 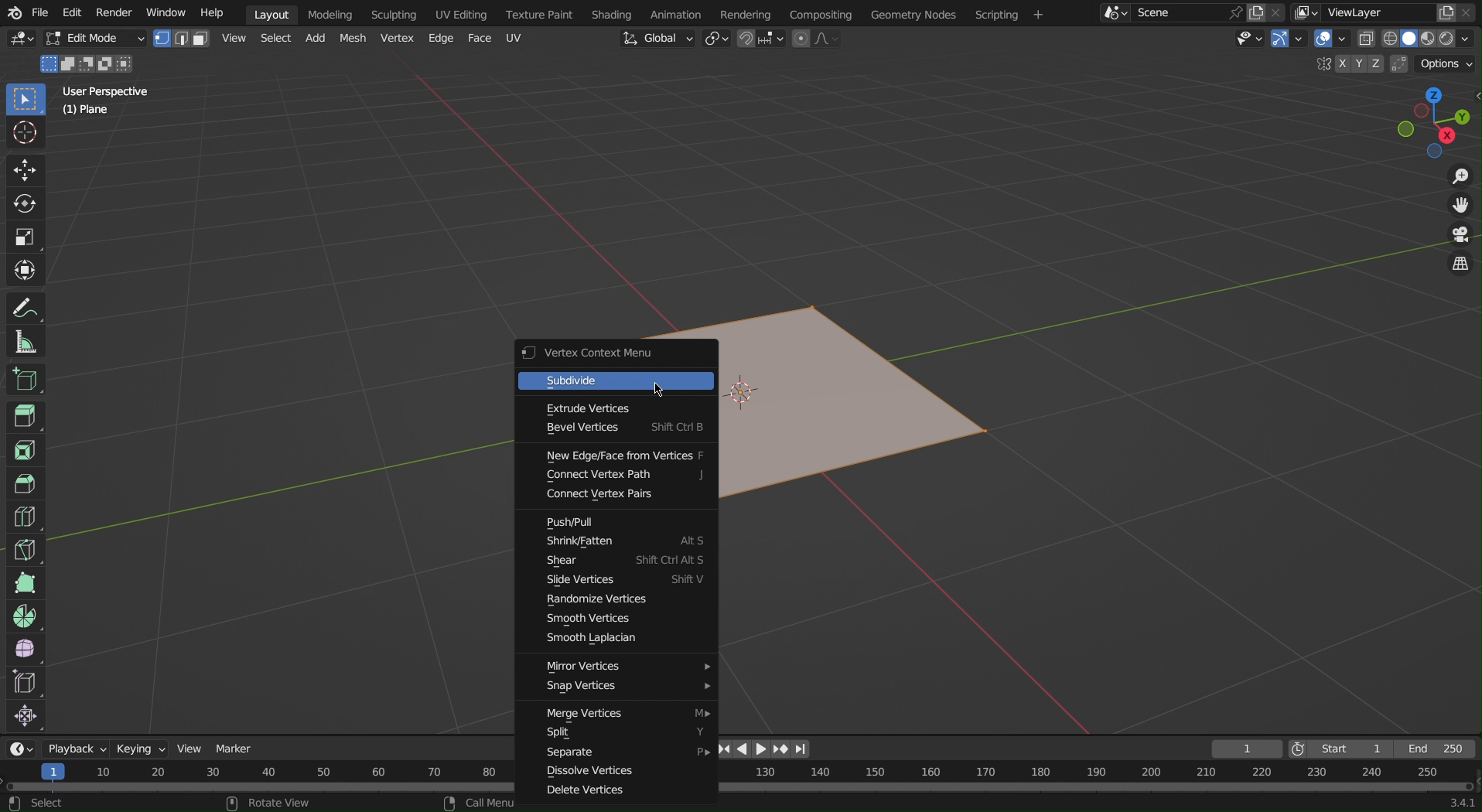 I want to click on Shading, so click(x=613, y=12).